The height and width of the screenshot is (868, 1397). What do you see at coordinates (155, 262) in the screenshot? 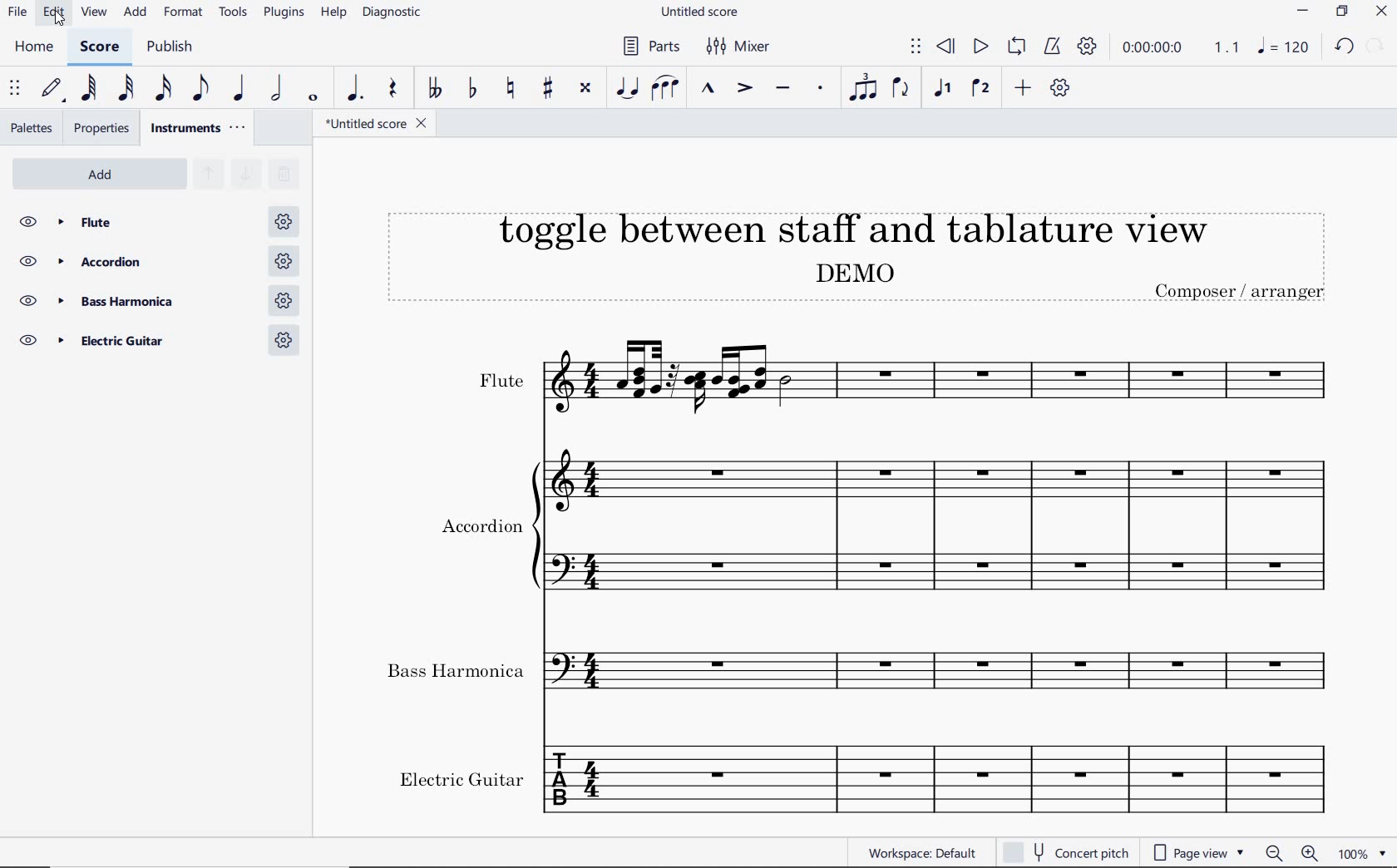
I see `accordion` at bounding box center [155, 262].